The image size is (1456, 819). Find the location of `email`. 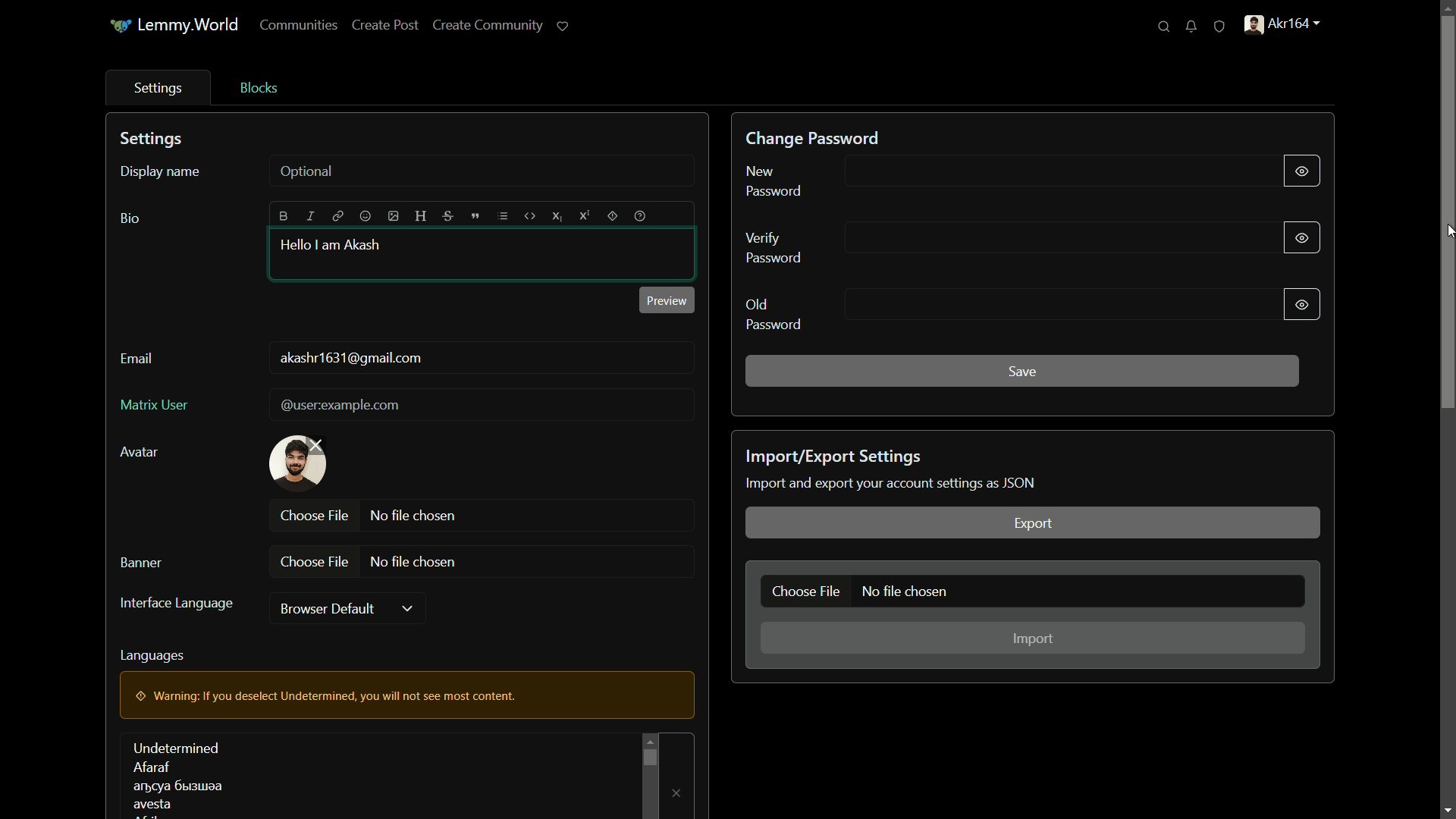

email is located at coordinates (137, 359).